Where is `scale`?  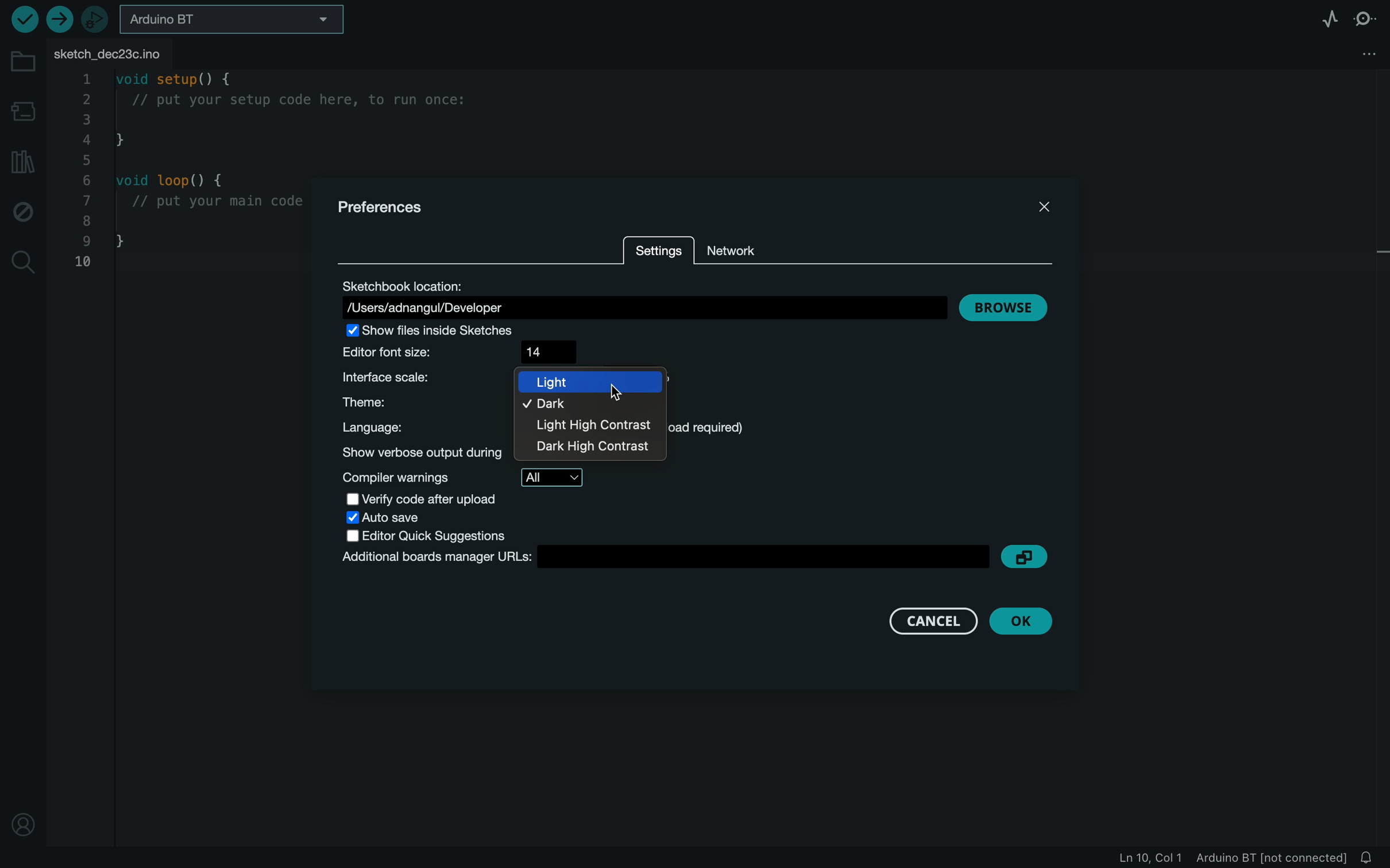
scale is located at coordinates (415, 377).